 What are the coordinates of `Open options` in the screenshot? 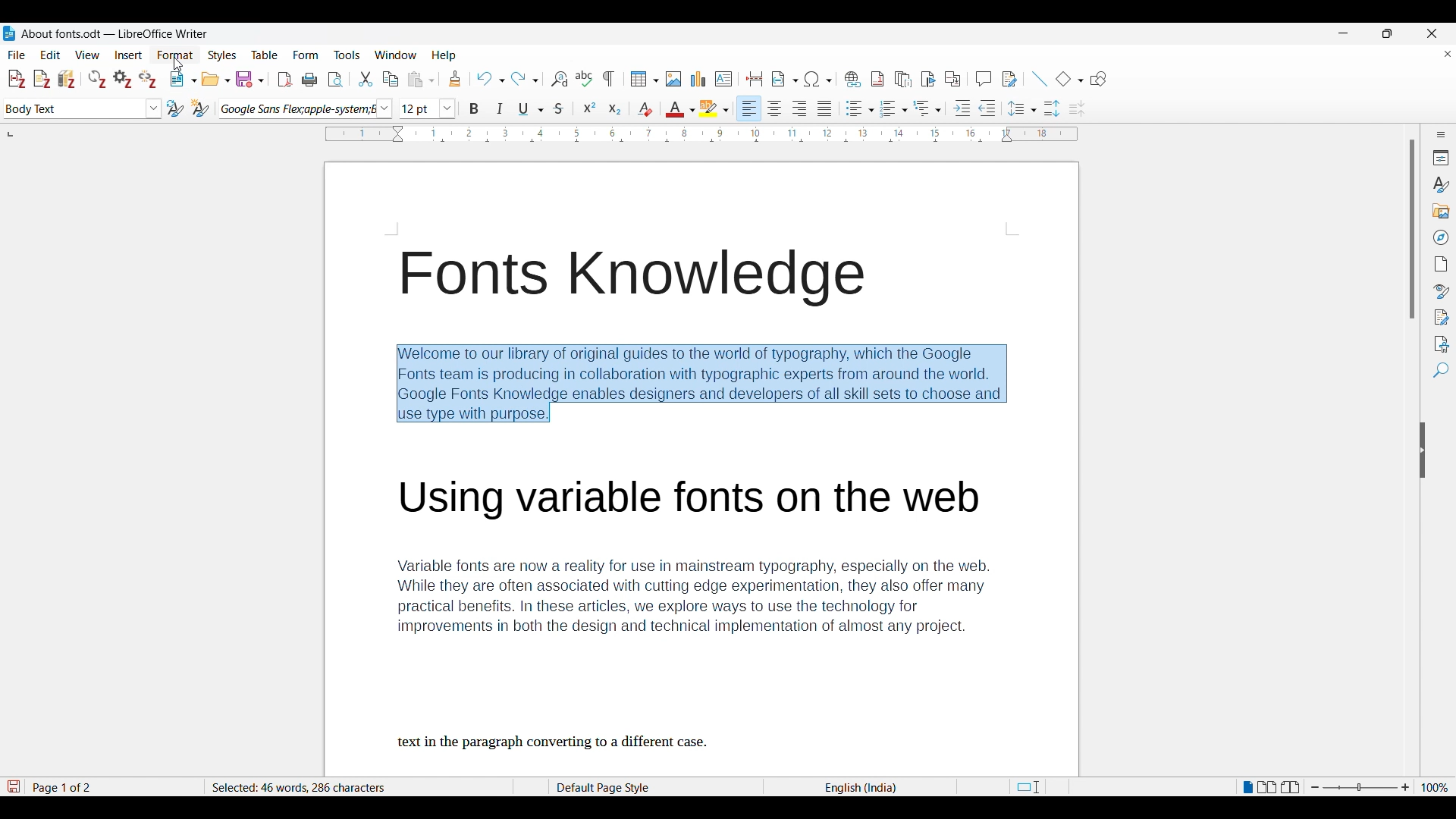 It's located at (215, 79).